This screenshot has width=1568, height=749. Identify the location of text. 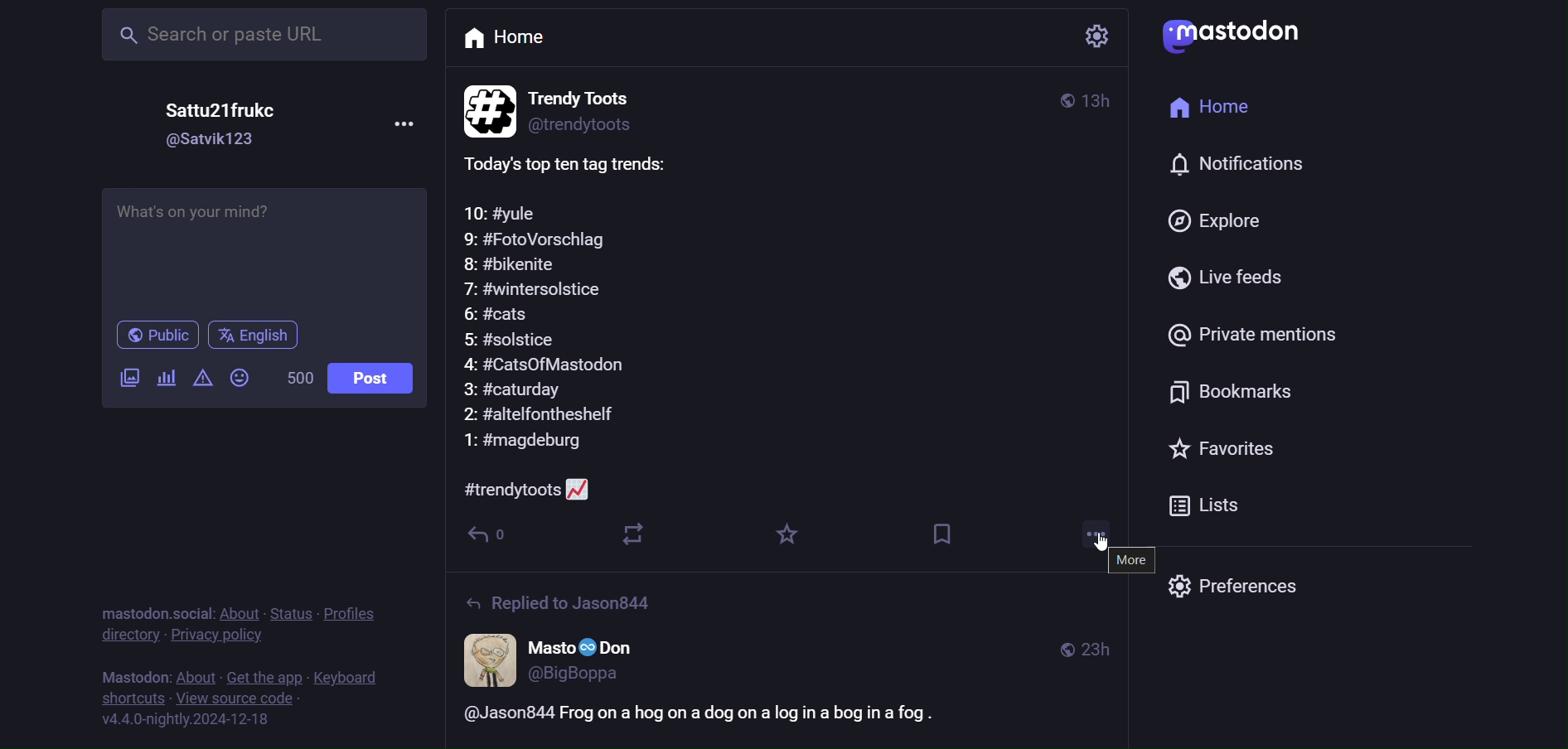
(127, 673).